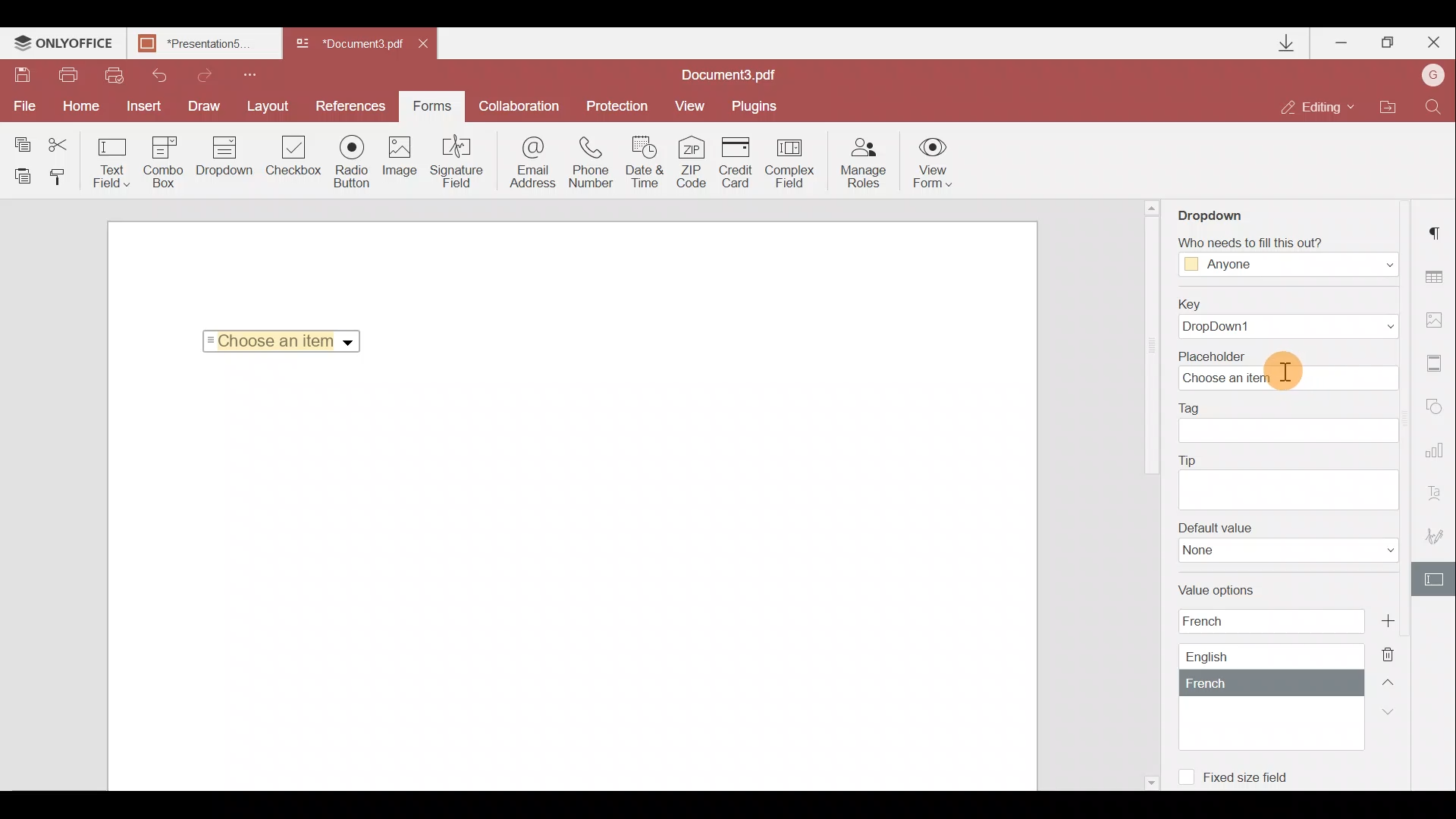 This screenshot has width=1456, height=819. What do you see at coordinates (792, 162) in the screenshot?
I see `Complex field` at bounding box center [792, 162].